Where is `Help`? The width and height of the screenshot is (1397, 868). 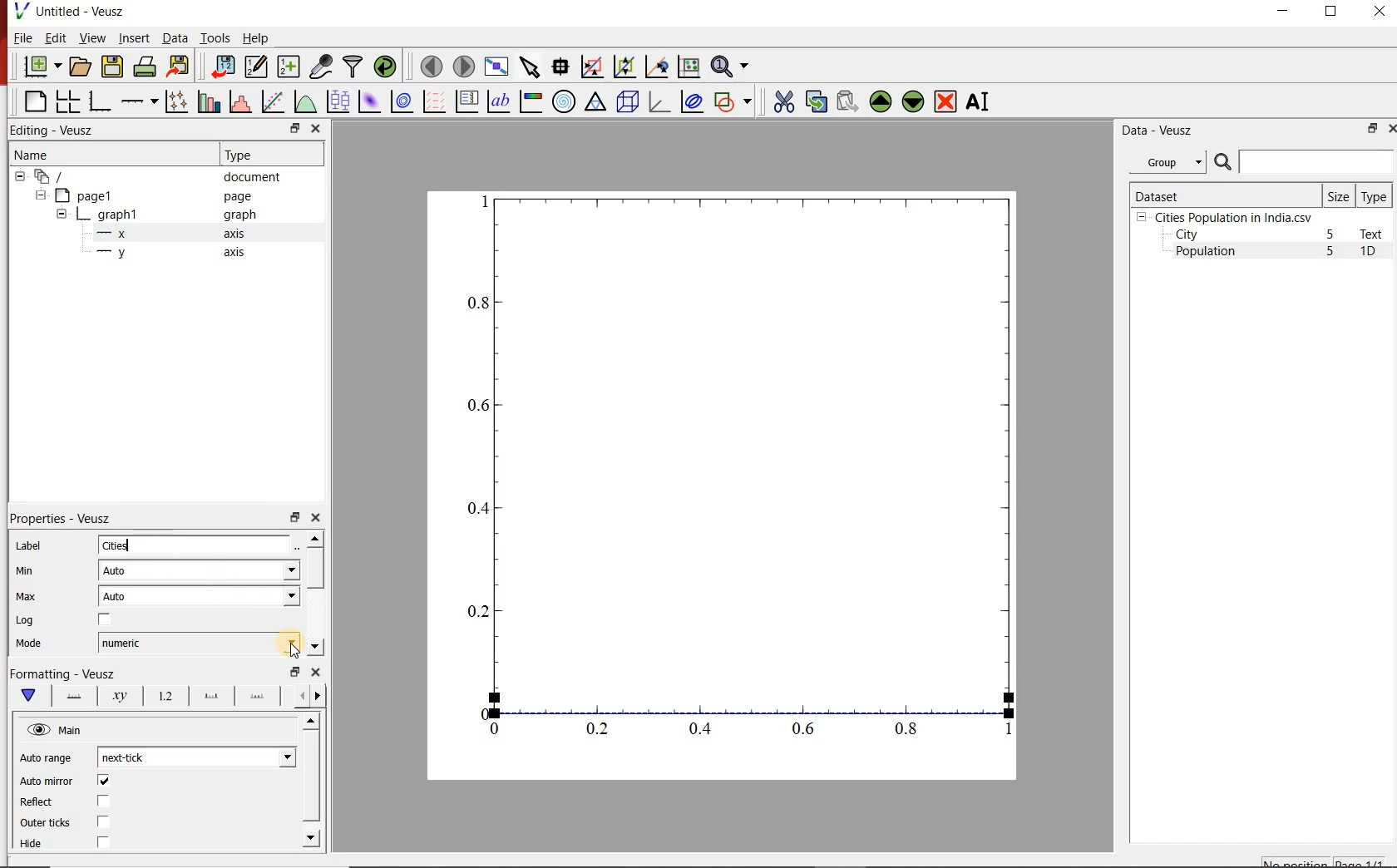
Help is located at coordinates (257, 37).